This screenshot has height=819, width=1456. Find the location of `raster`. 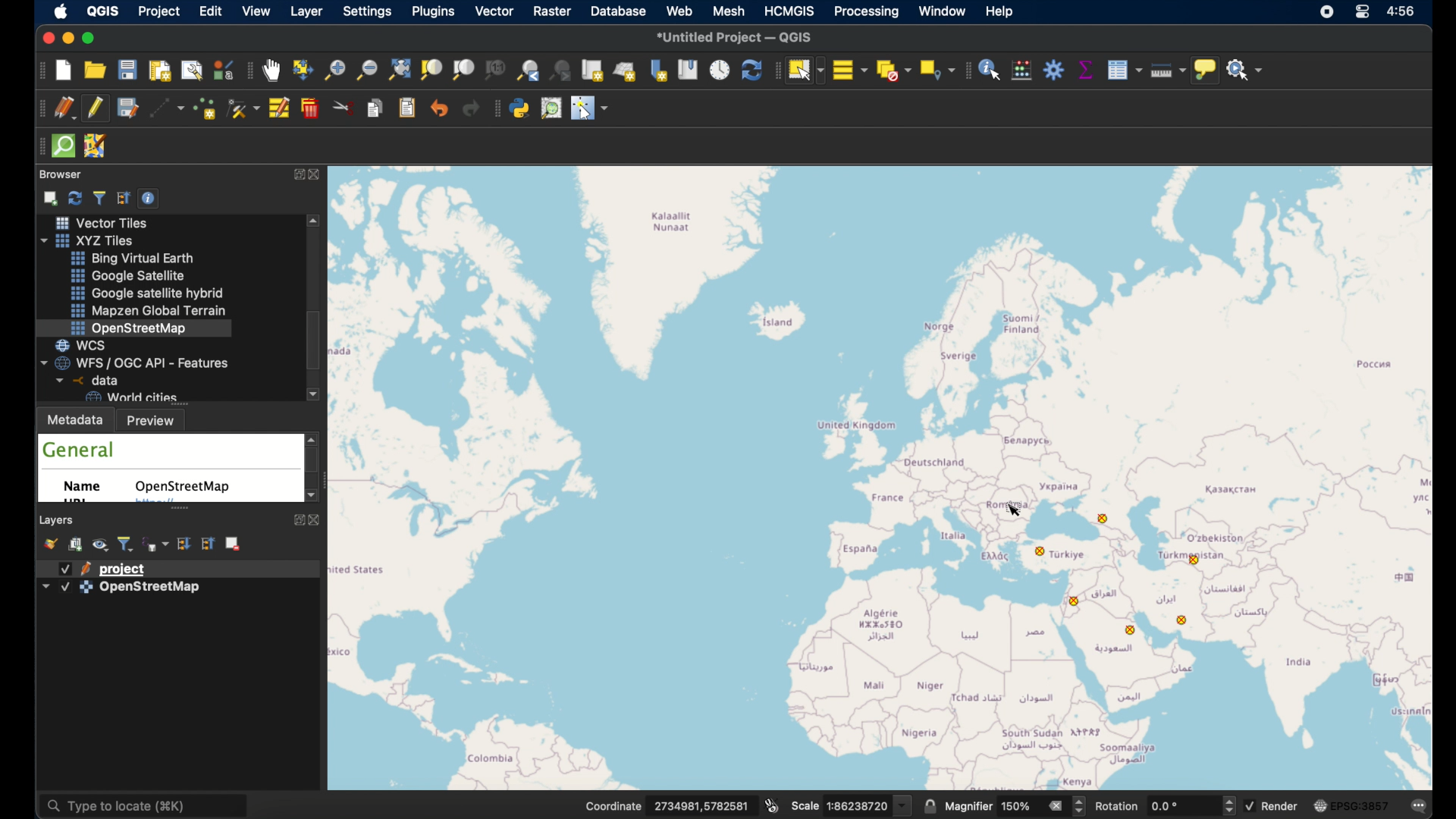

raster is located at coordinates (553, 11).